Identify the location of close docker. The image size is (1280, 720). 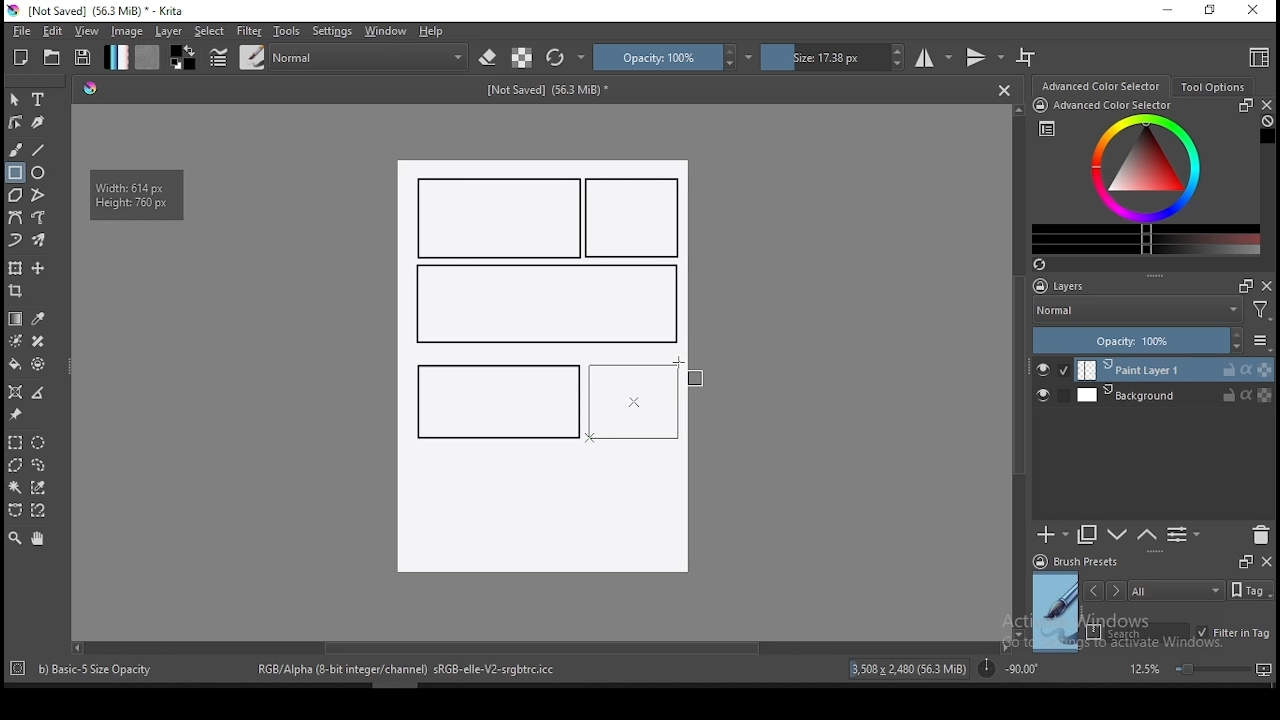
(1267, 285).